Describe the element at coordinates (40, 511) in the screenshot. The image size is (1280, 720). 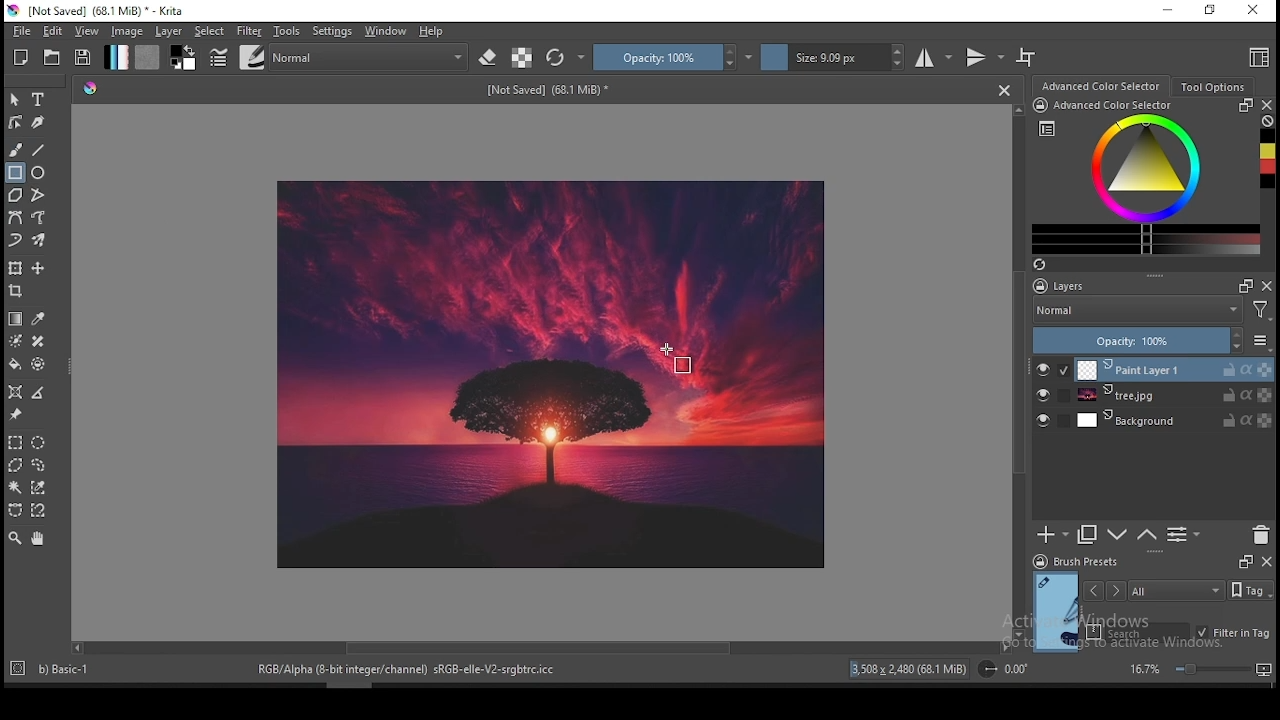
I see `magnetic curve selection tool` at that location.